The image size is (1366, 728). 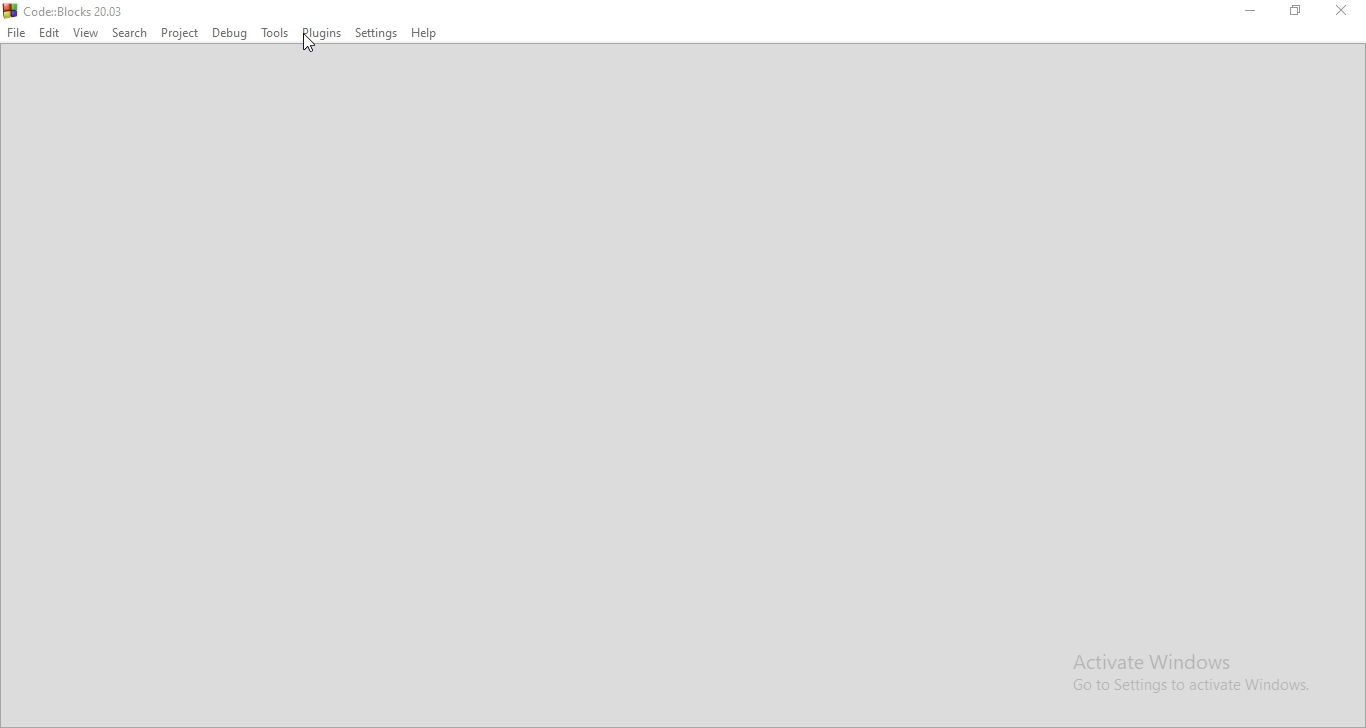 I want to click on Settings, so click(x=377, y=34).